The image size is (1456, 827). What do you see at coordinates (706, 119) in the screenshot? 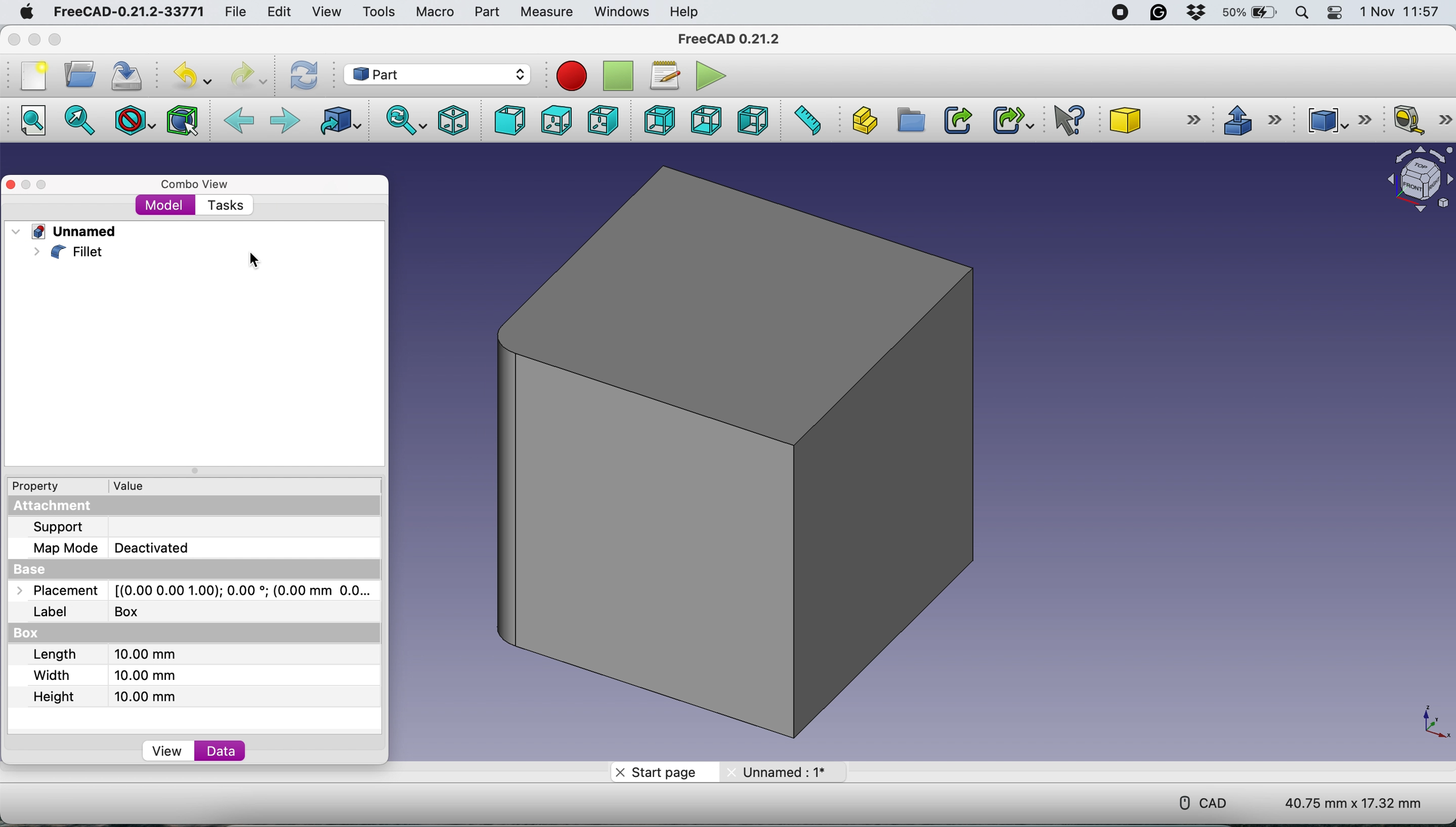
I see `bottom` at bounding box center [706, 119].